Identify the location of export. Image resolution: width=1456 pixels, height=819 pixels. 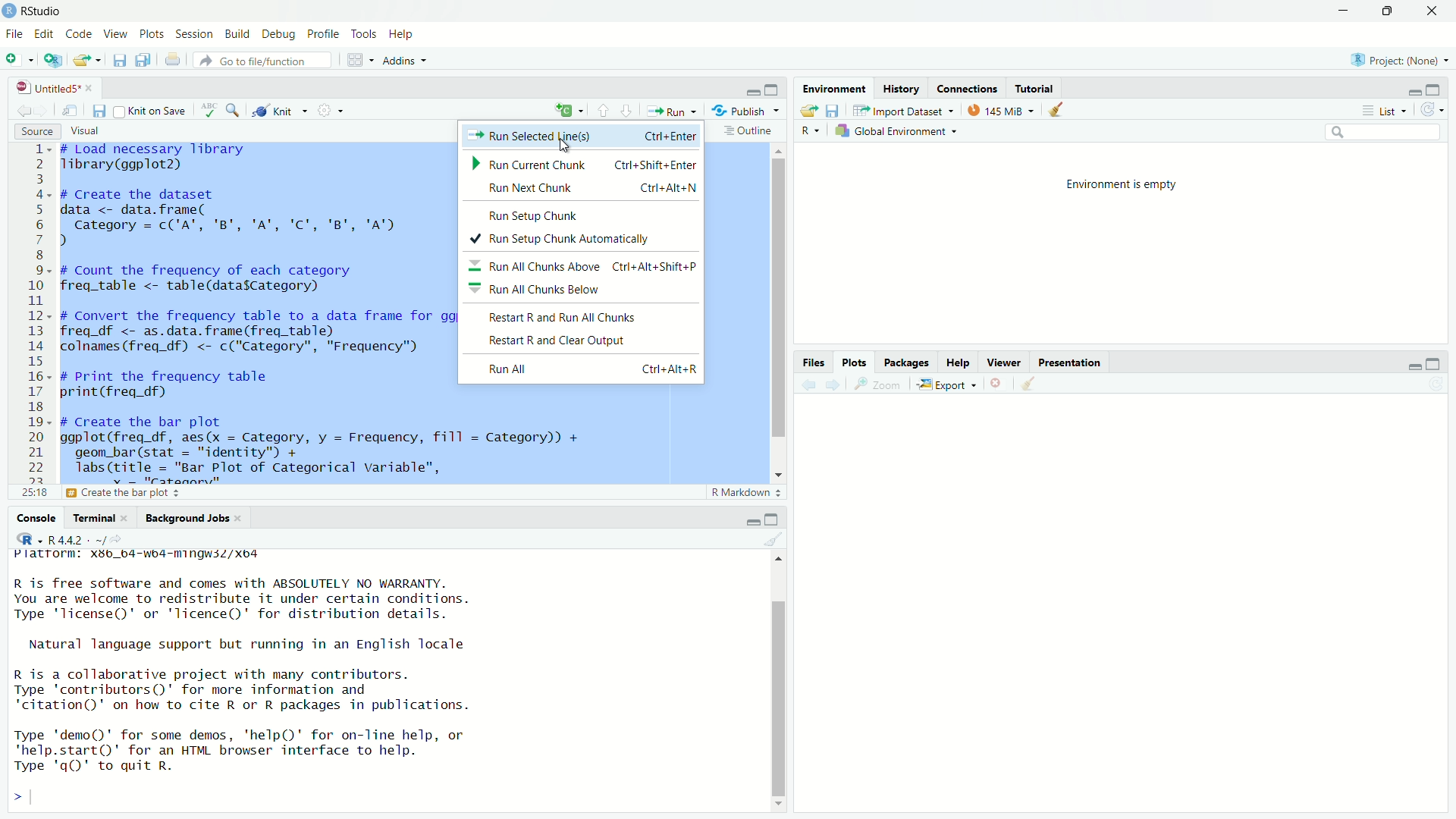
(945, 385).